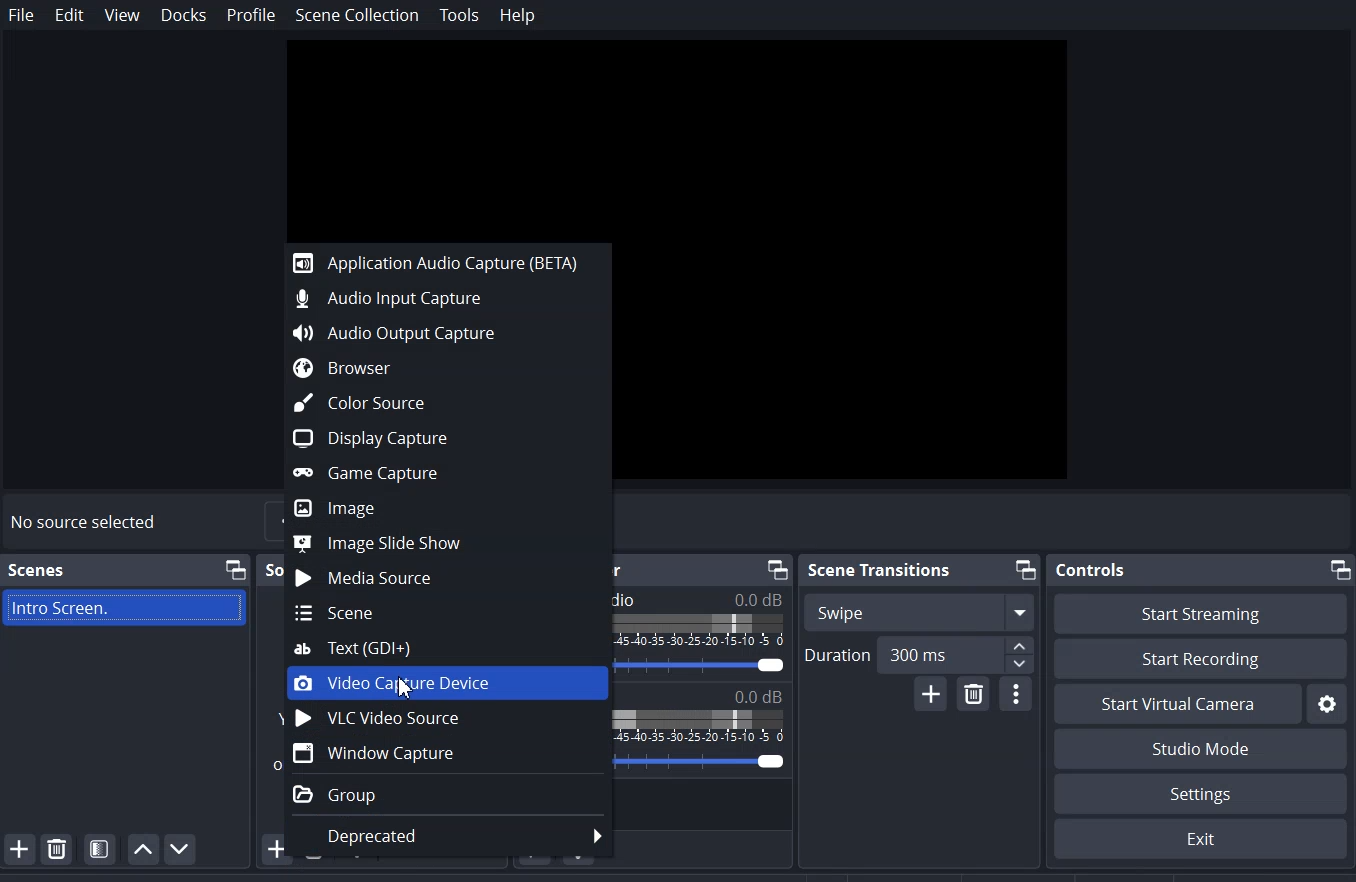  I want to click on Settings, so click(1201, 794).